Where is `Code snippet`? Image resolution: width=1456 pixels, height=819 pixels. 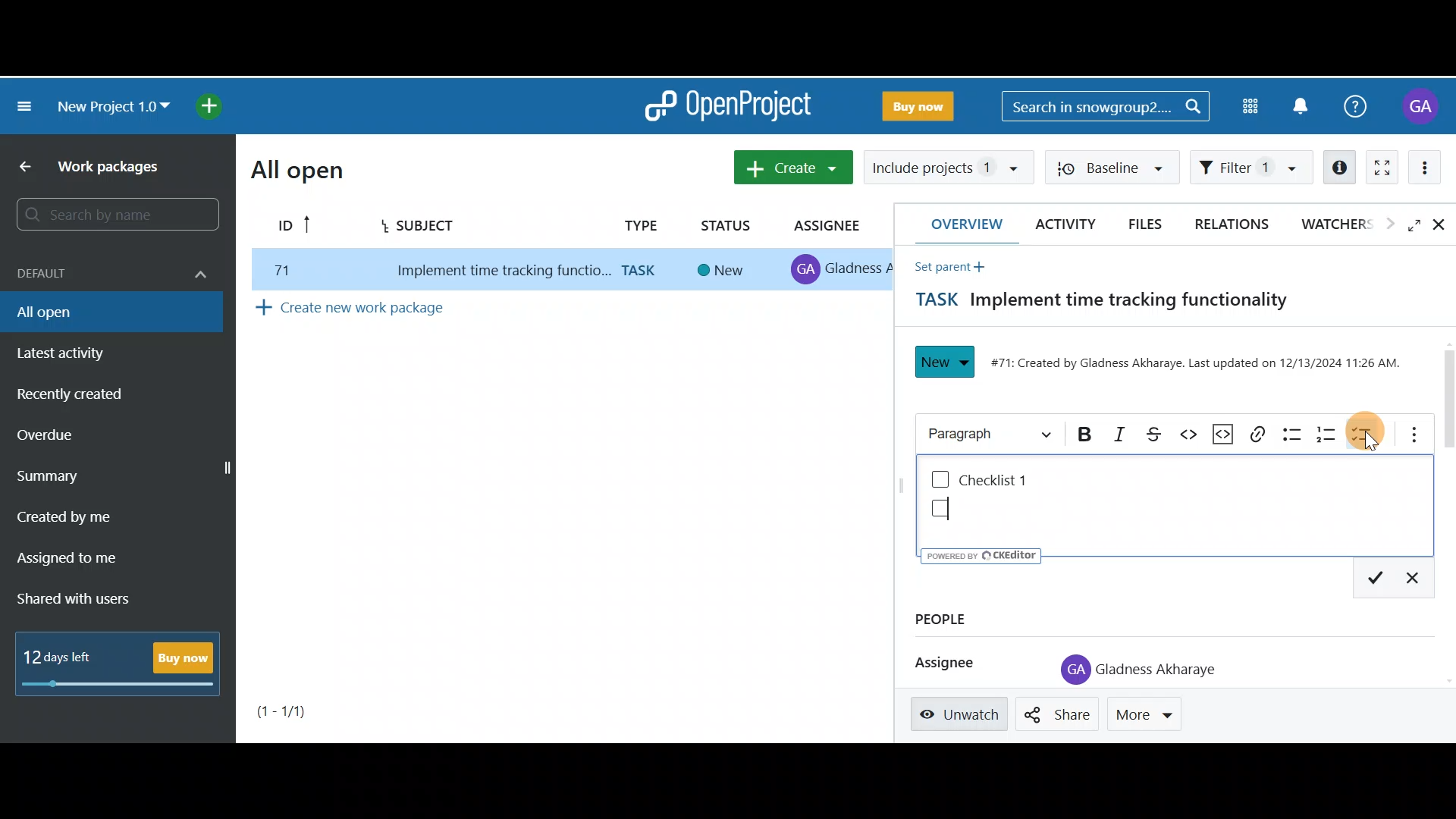 Code snippet is located at coordinates (1227, 432).